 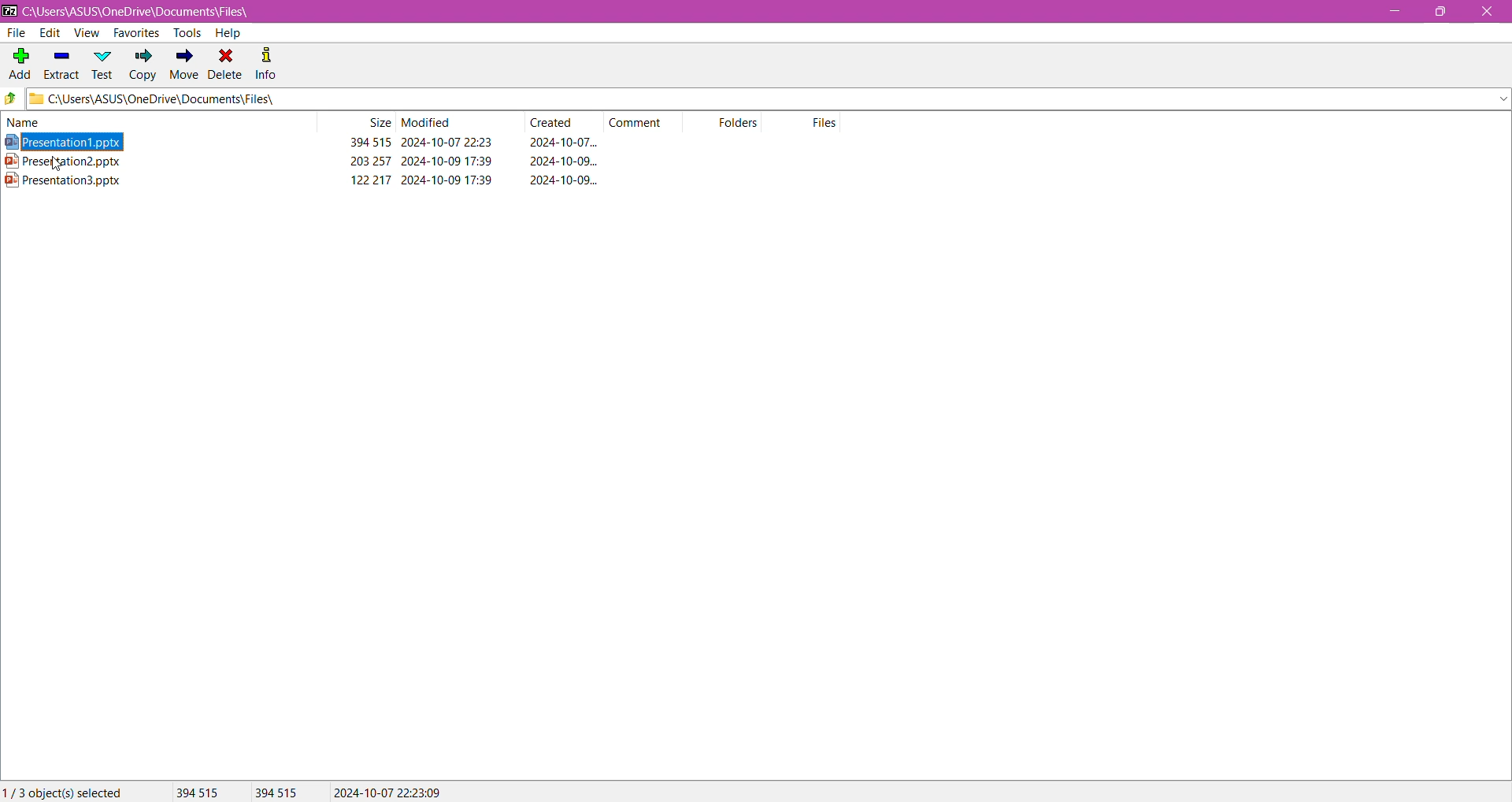 I want to click on Name, so click(x=39, y=122).